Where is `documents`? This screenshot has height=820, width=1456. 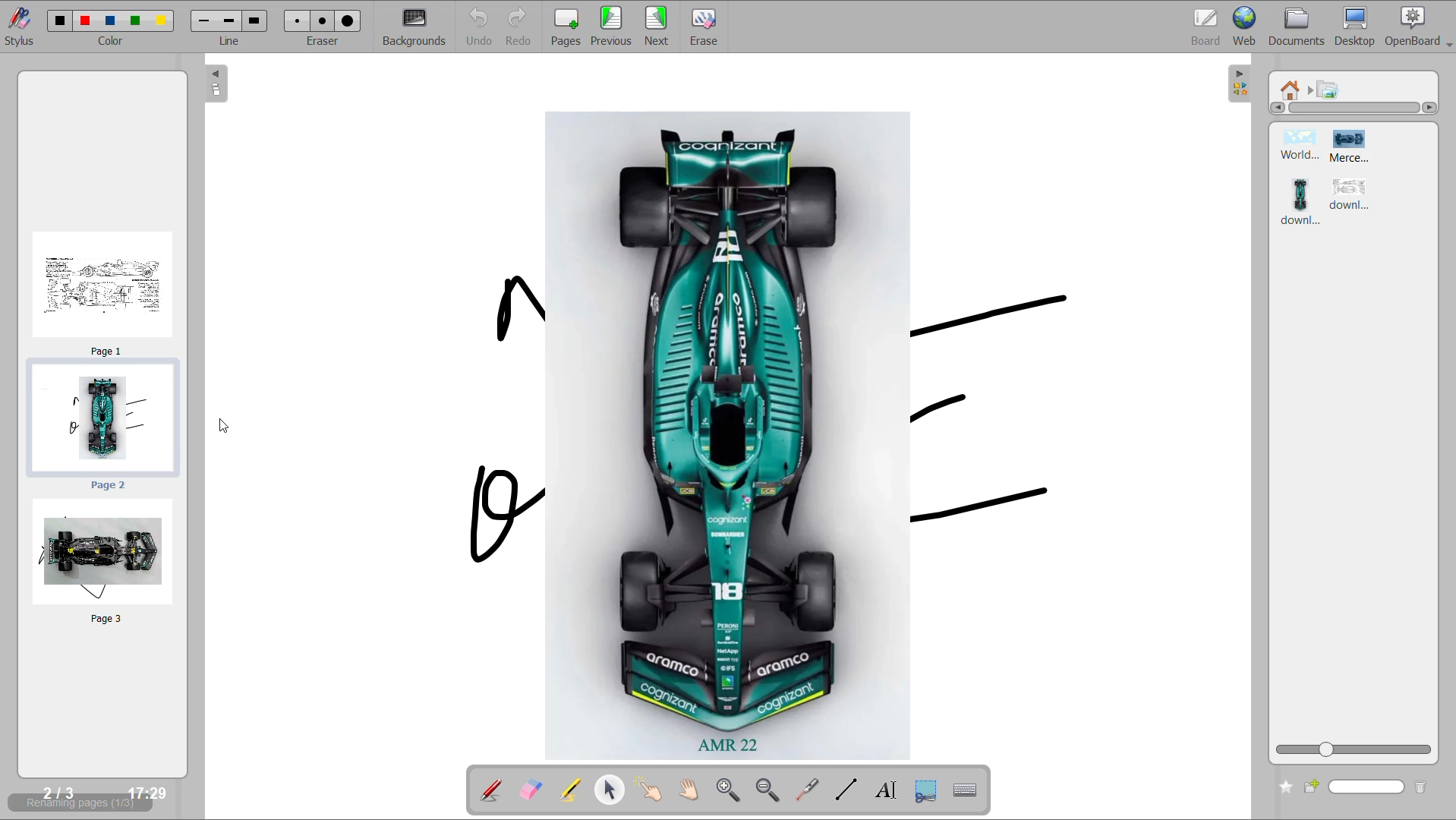
documents is located at coordinates (1297, 27).